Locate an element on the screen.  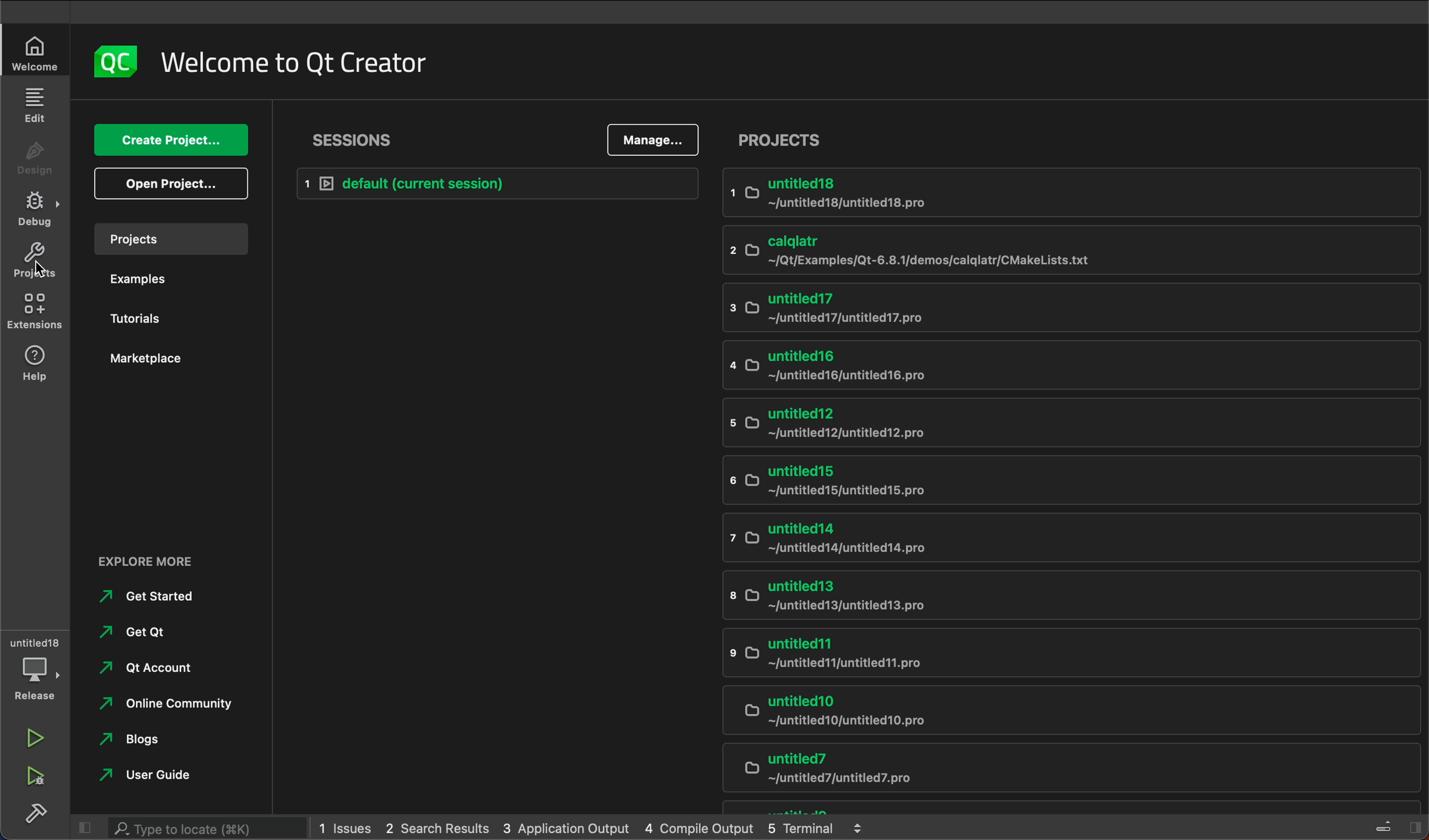
current session is located at coordinates (495, 184).